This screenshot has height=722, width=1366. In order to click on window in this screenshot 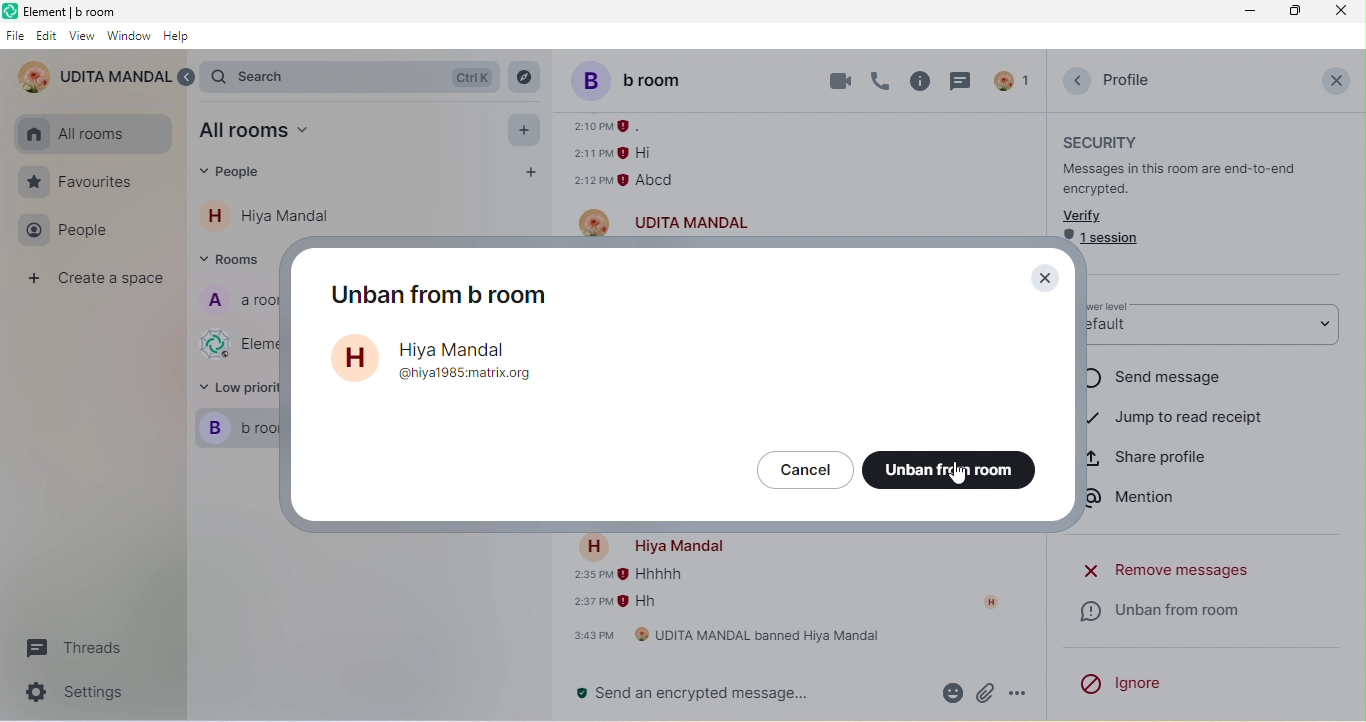, I will do `click(130, 38)`.